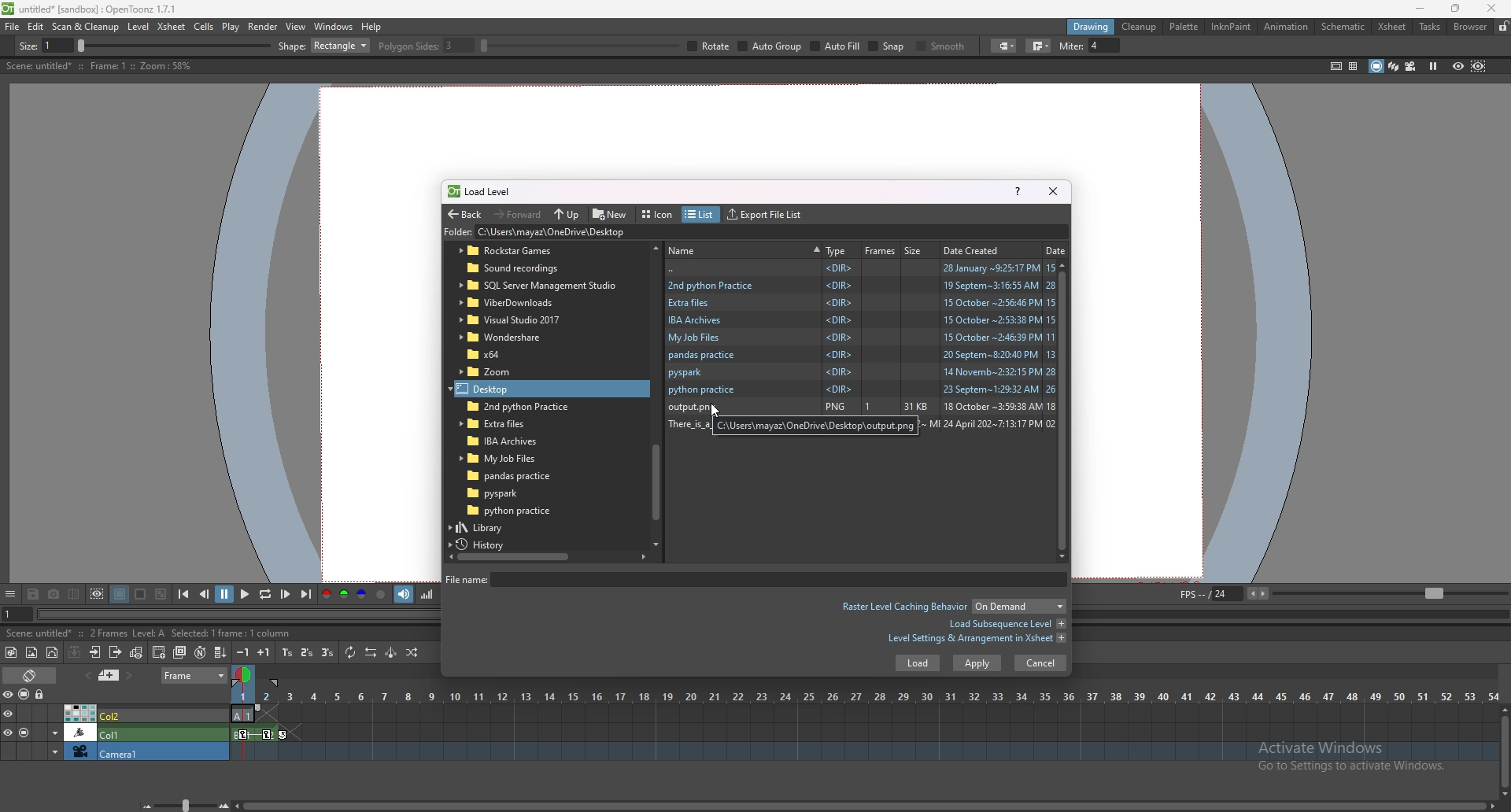  I want to click on new raster level, so click(31, 653).